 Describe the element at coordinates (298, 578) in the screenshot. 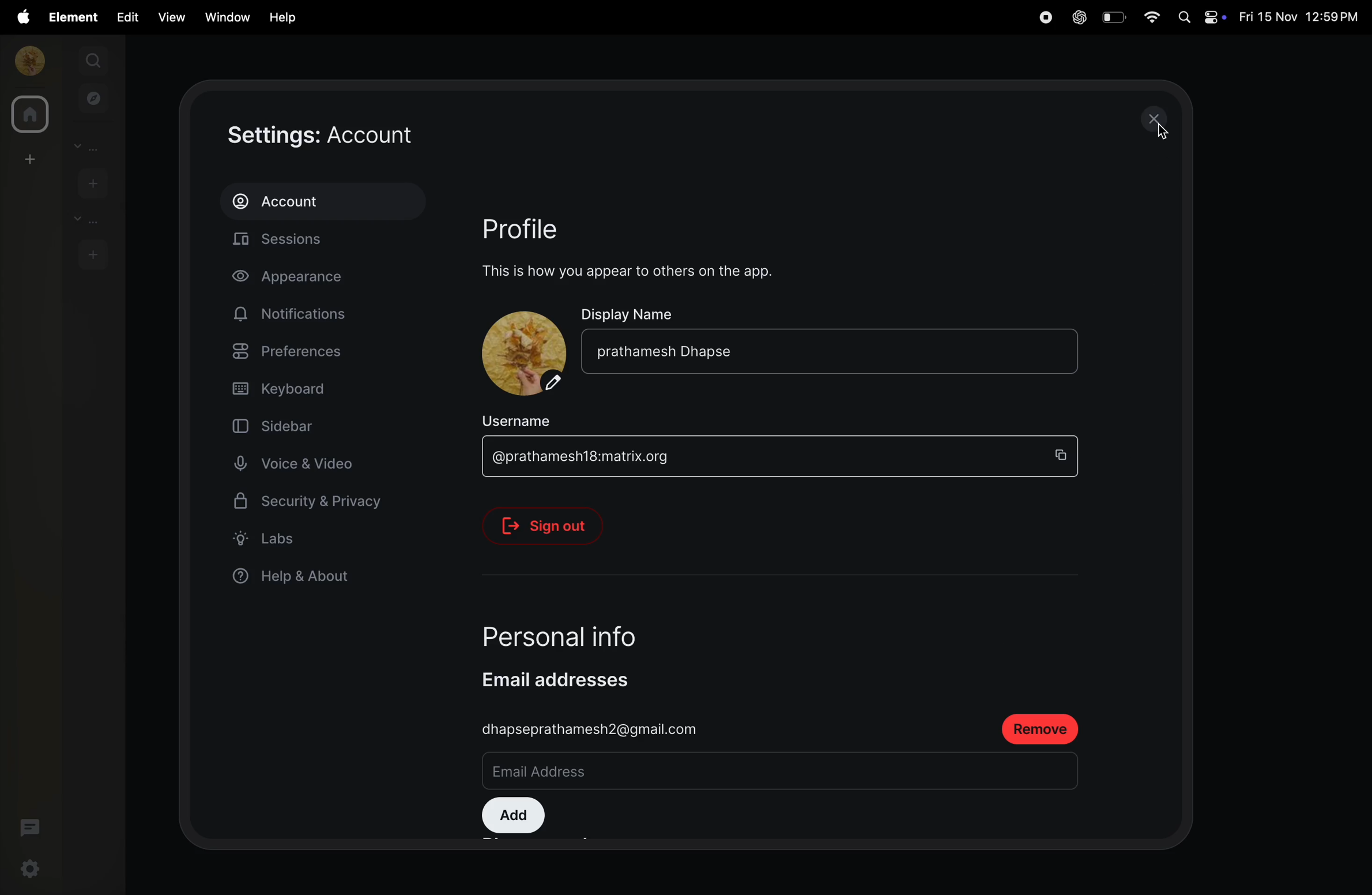

I see `help and anout` at that location.